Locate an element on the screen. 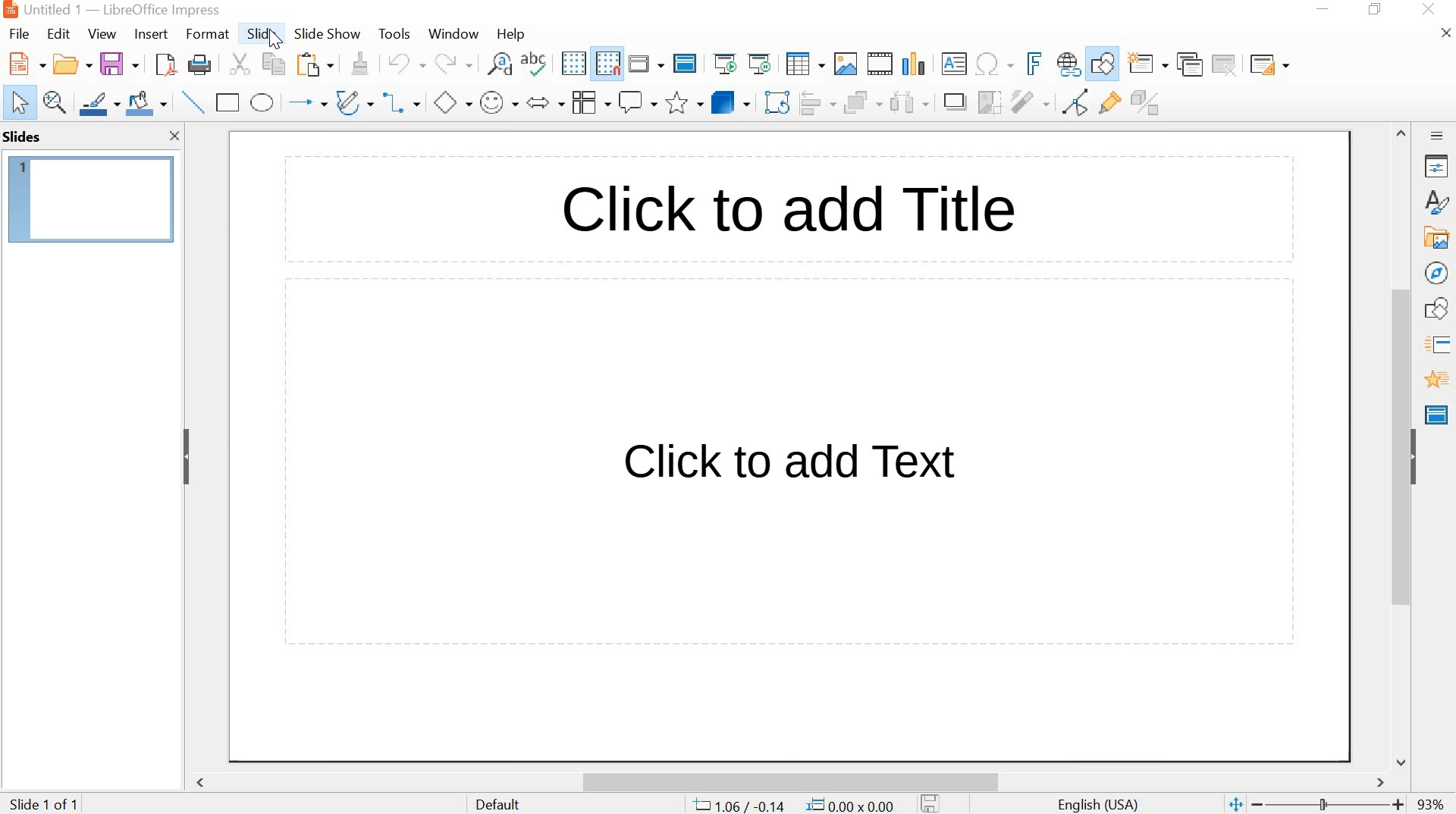  Basic shapes is located at coordinates (452, 101).